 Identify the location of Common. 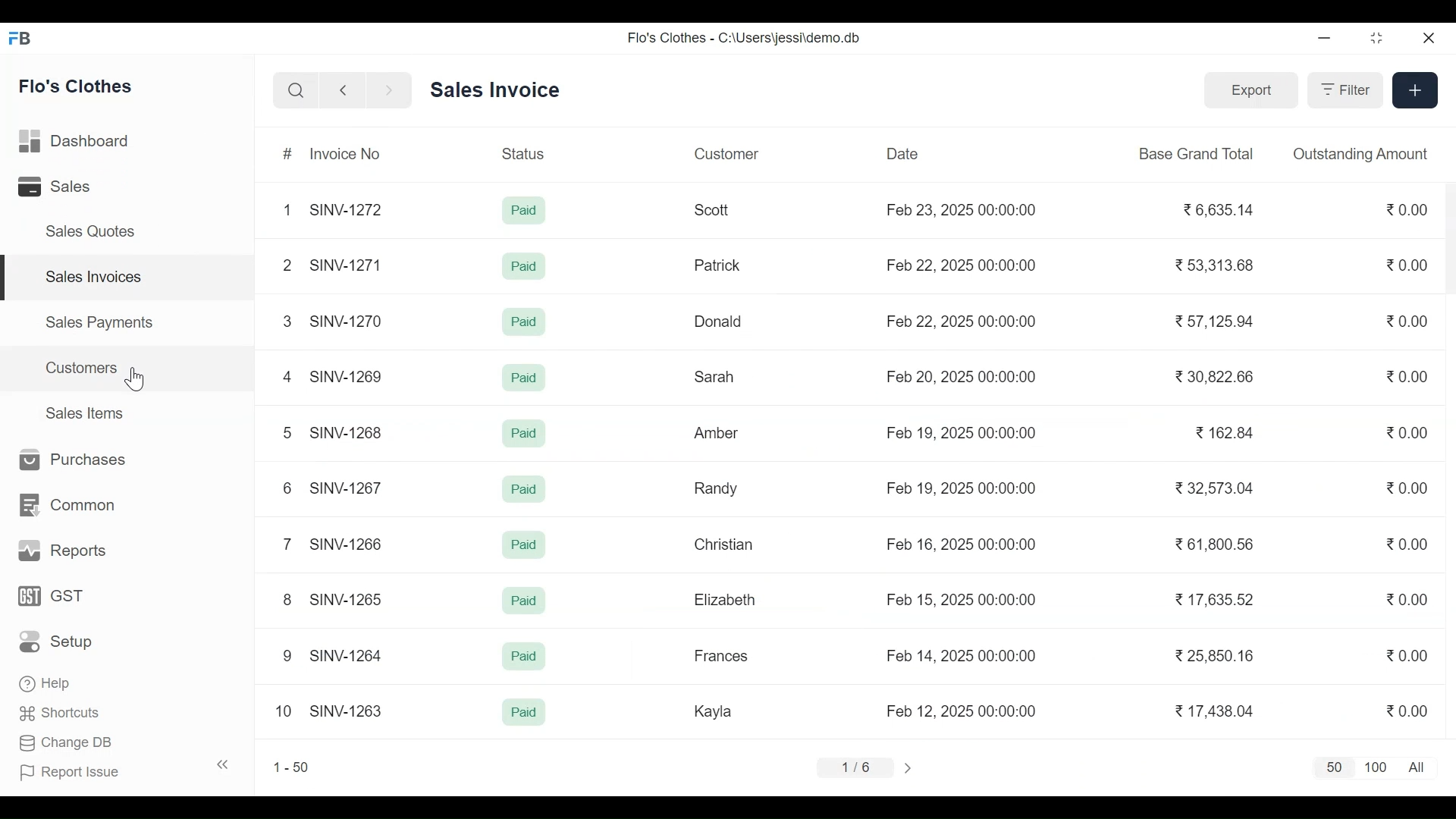
(65, 505).